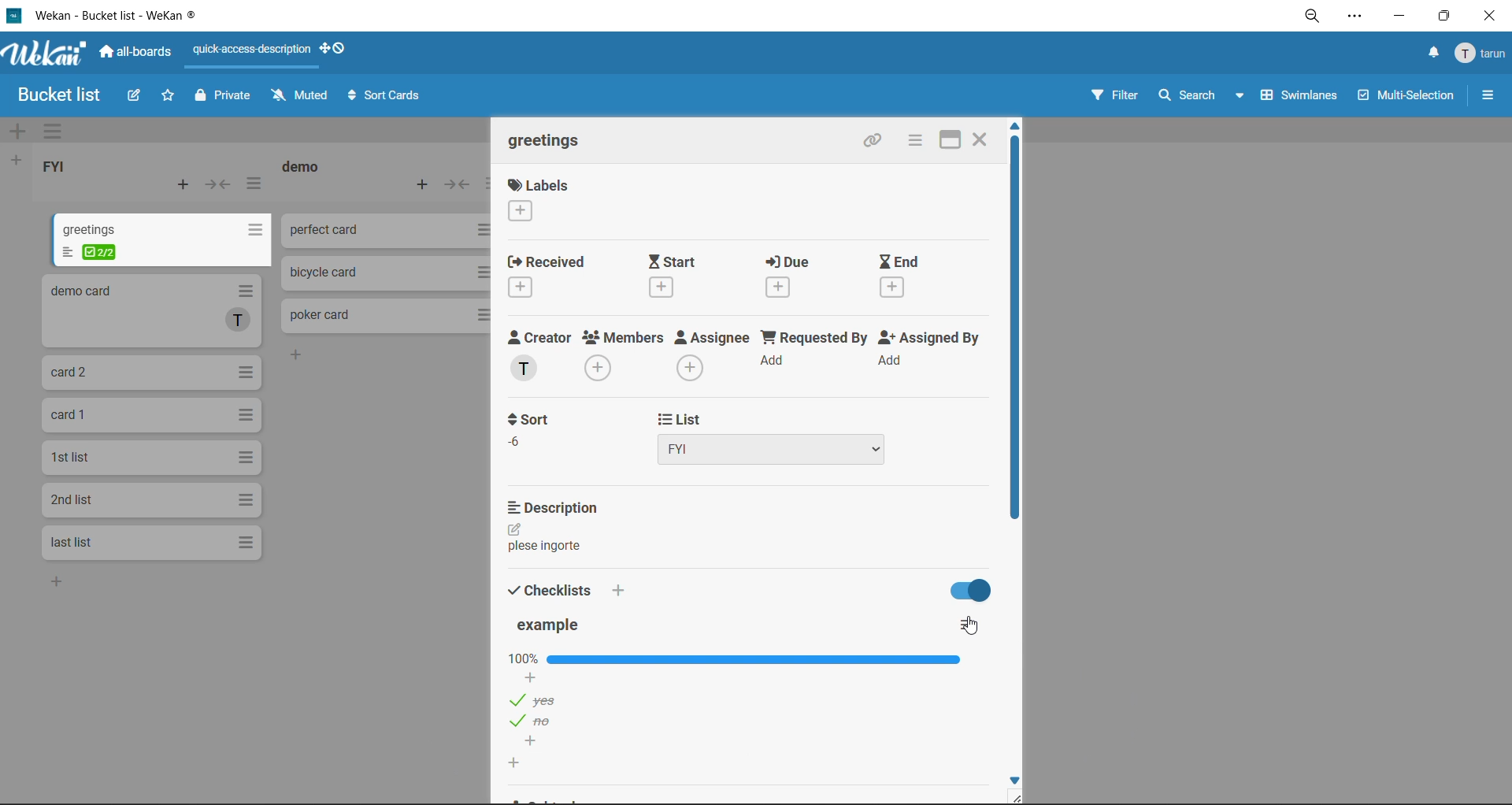 The height and width of the screenshot is (805, 1512). I want to click on menu, so click(1482, 54).